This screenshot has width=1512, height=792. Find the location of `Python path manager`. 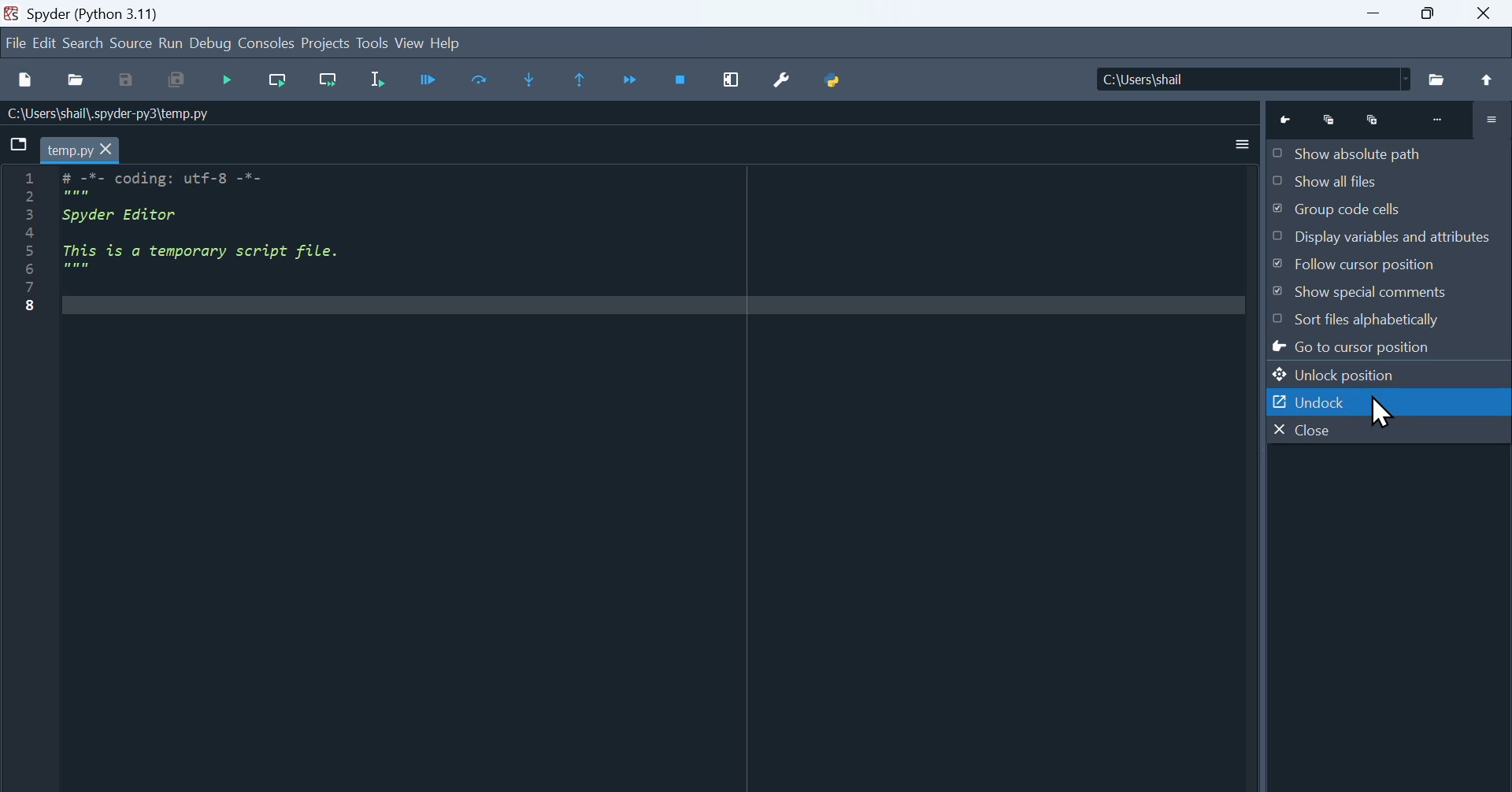

Python path manager is located at coordinates (835, 80).